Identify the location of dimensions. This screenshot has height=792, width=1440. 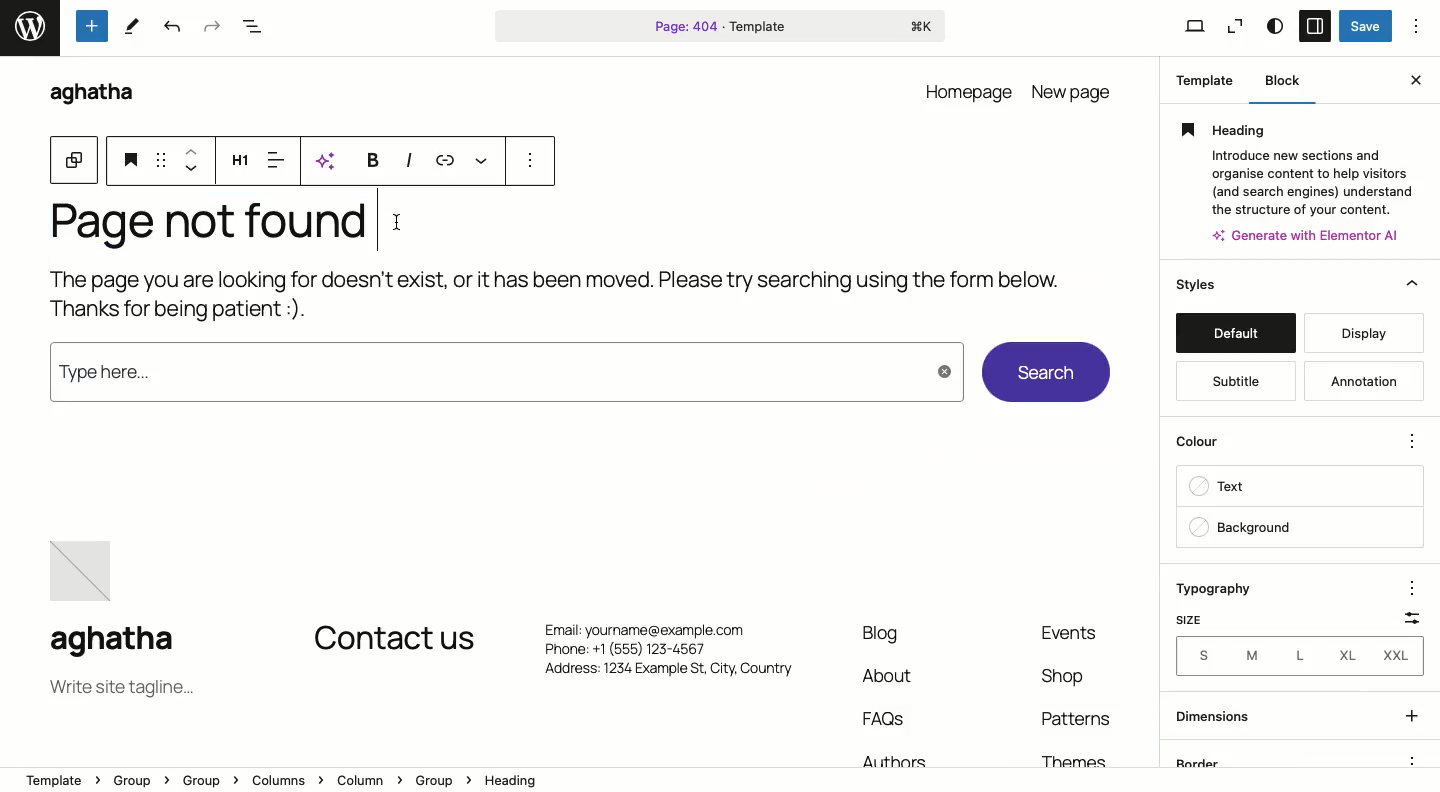
(1297, 715).